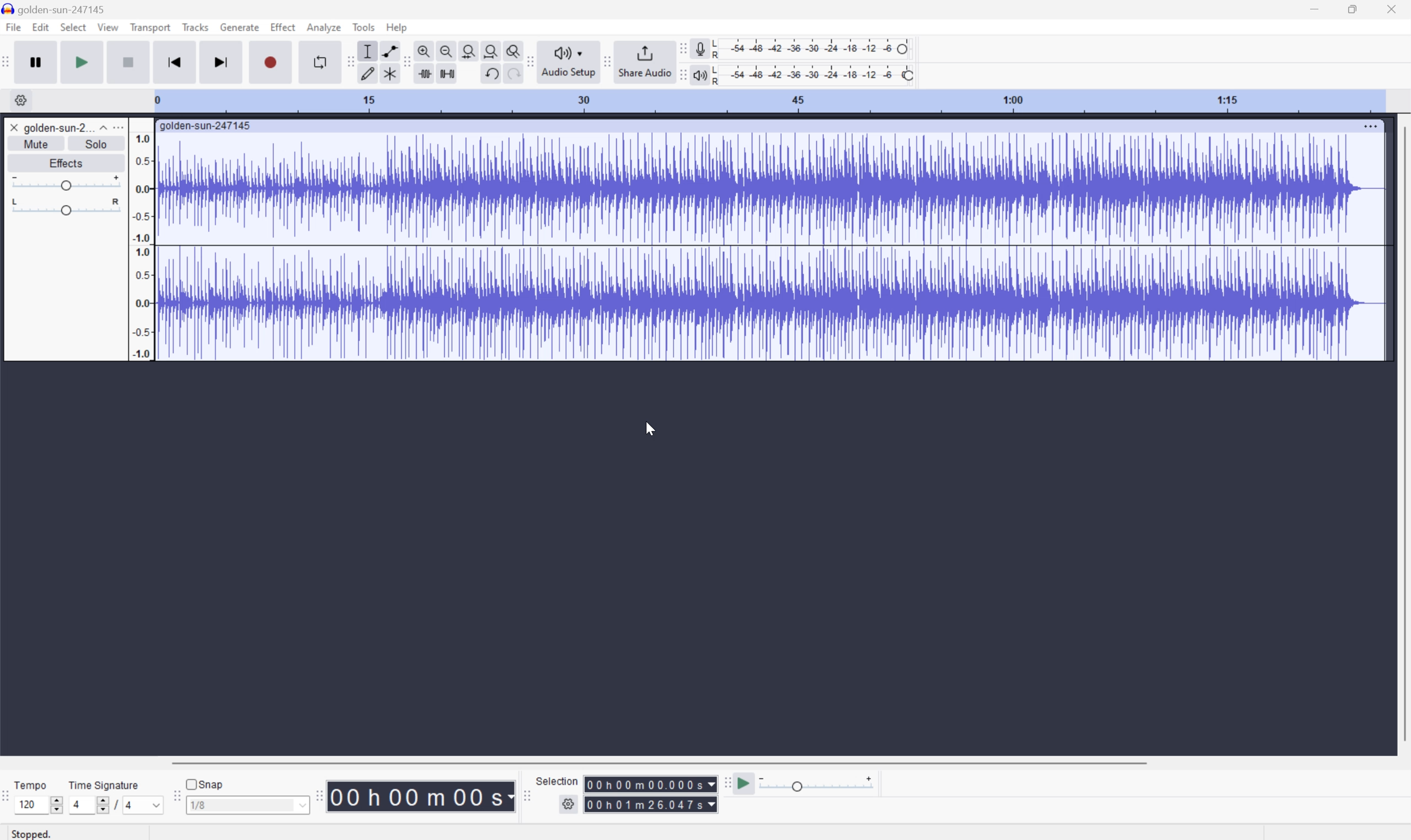 This screenshot has width=1411, height=840. I want to click on goldensun-247145, so click(55, 9).